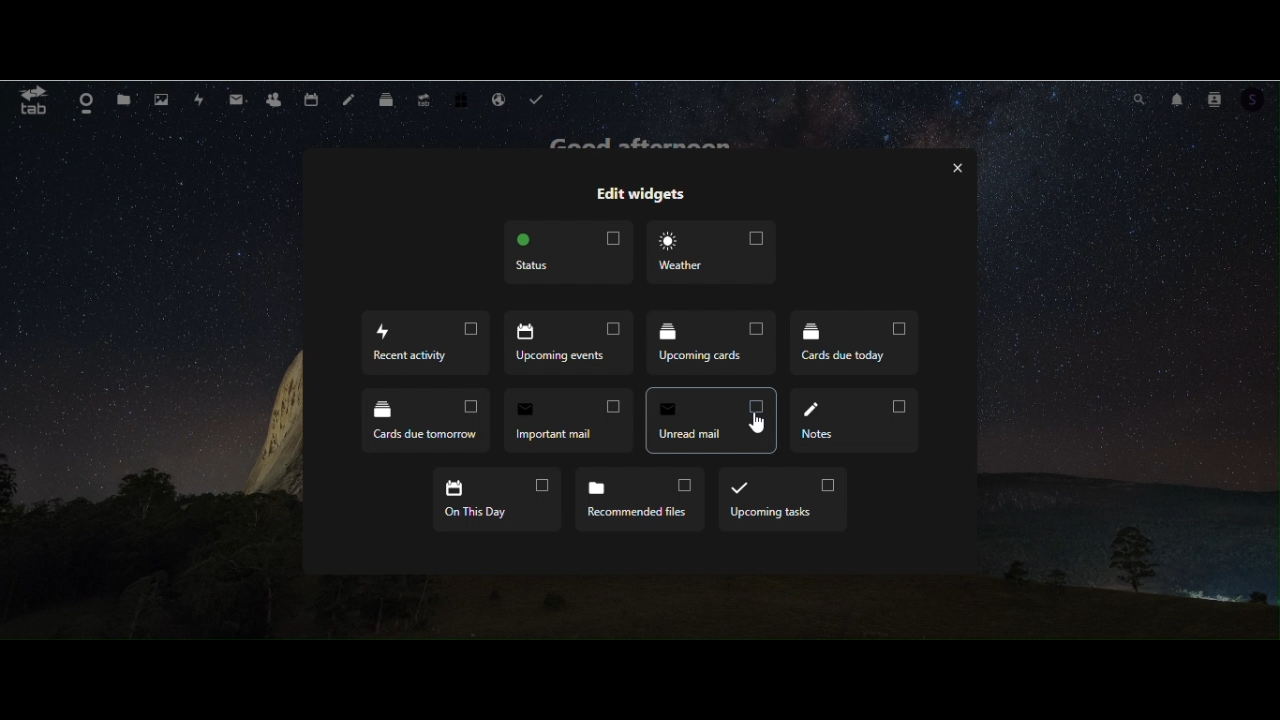 Image resolution: width=1280 pixels, height=720 pixels. What do you see at coordinates (126, 99) in the screenshot?
I see `Files` at bounding box center [126, 99].